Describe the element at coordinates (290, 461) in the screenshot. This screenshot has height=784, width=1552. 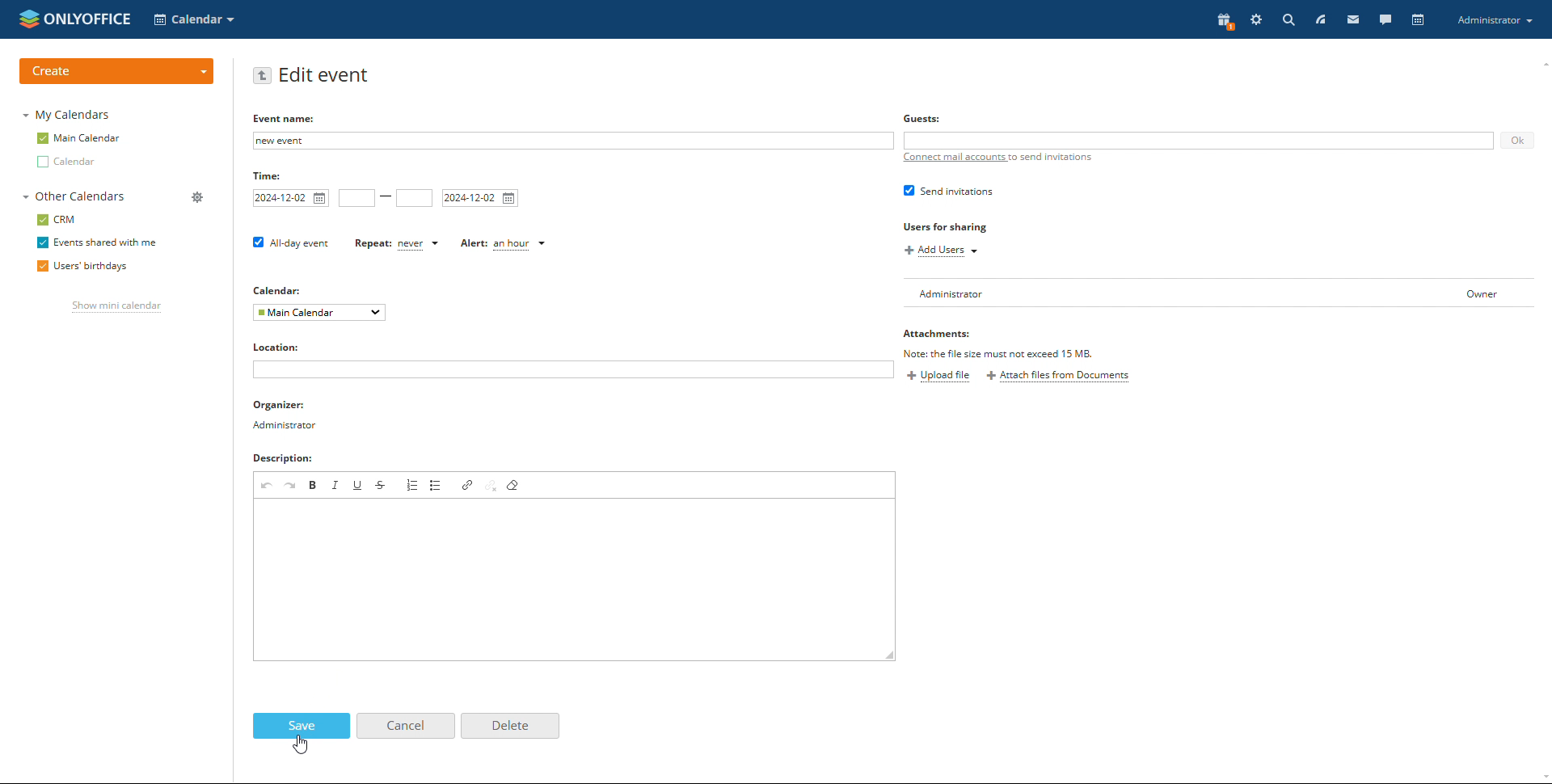
I see `descriptions` at that location.